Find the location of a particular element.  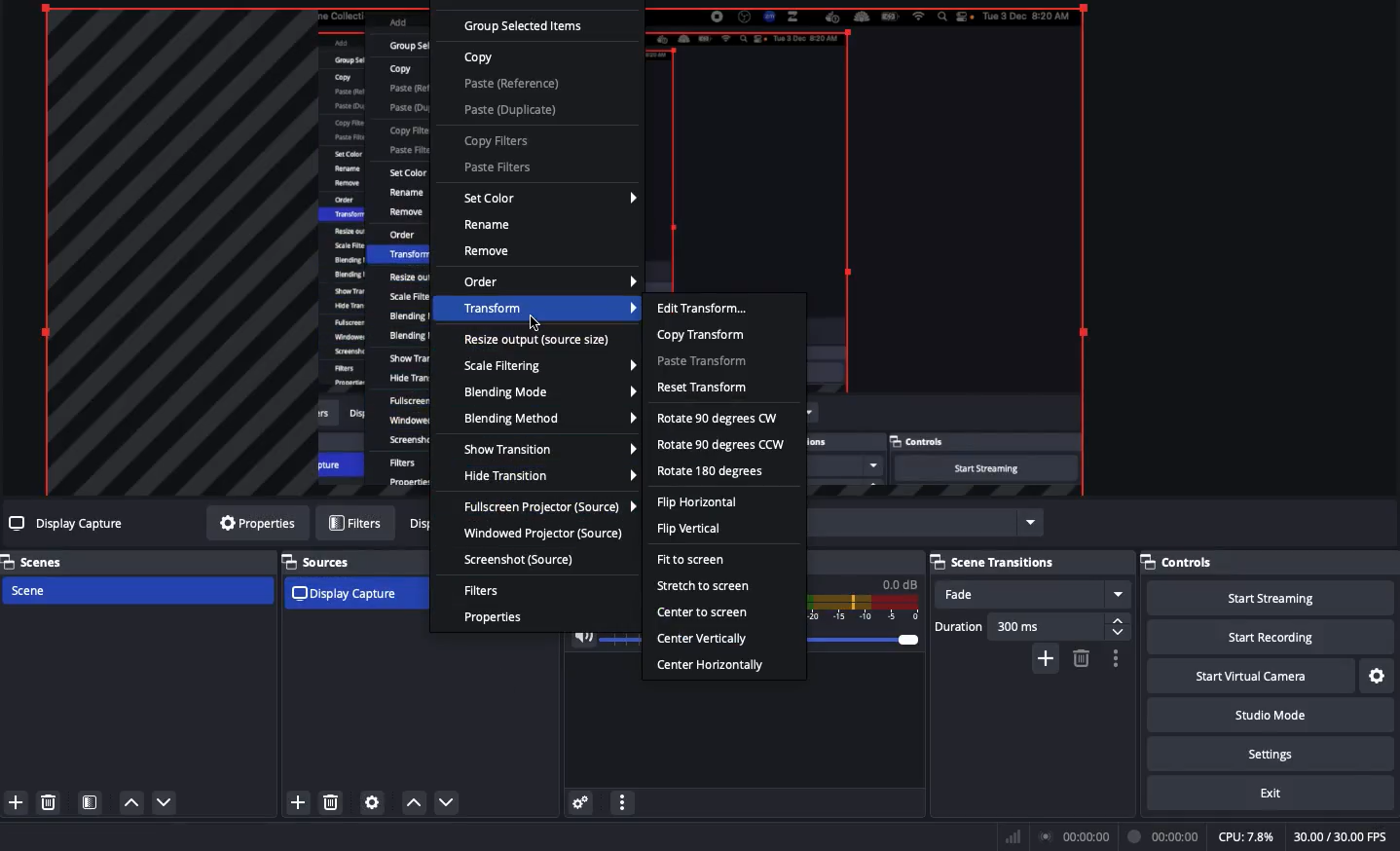

delete is located at coordinates (1079, 659).